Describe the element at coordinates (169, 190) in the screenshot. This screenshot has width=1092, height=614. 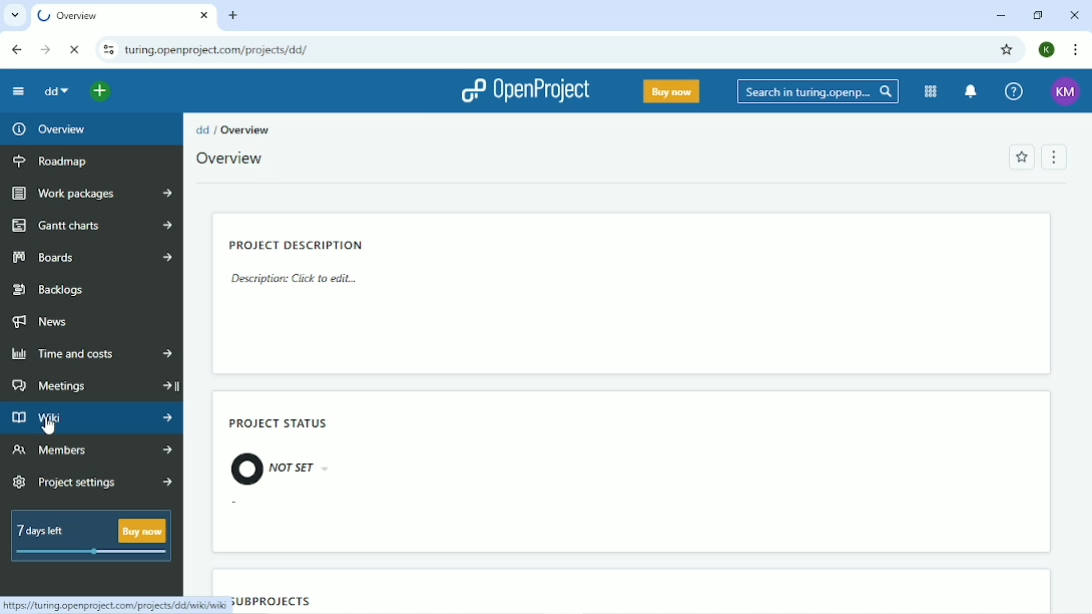
I see `More` at that location.